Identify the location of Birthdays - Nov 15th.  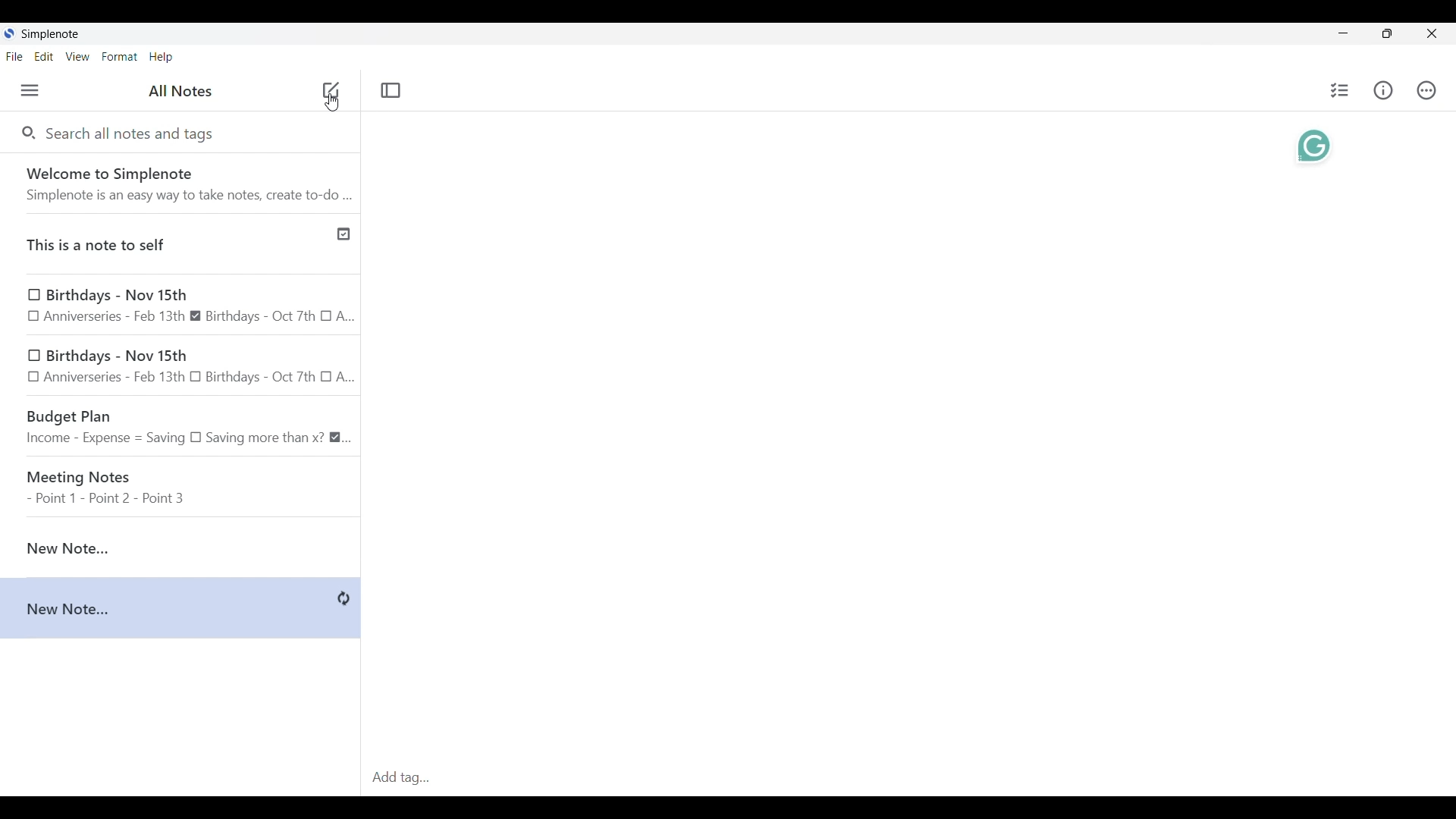
(180, 304).